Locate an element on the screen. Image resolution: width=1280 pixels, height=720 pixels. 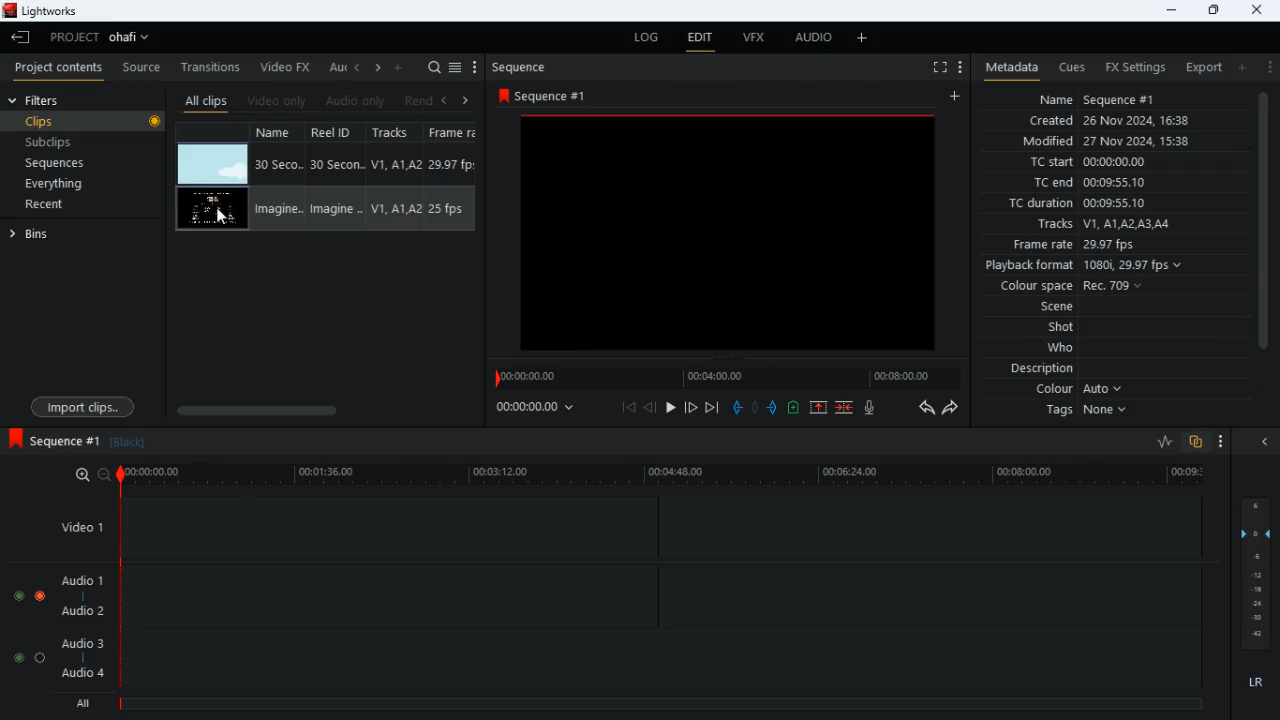
left is located at coordinates (359, 65).